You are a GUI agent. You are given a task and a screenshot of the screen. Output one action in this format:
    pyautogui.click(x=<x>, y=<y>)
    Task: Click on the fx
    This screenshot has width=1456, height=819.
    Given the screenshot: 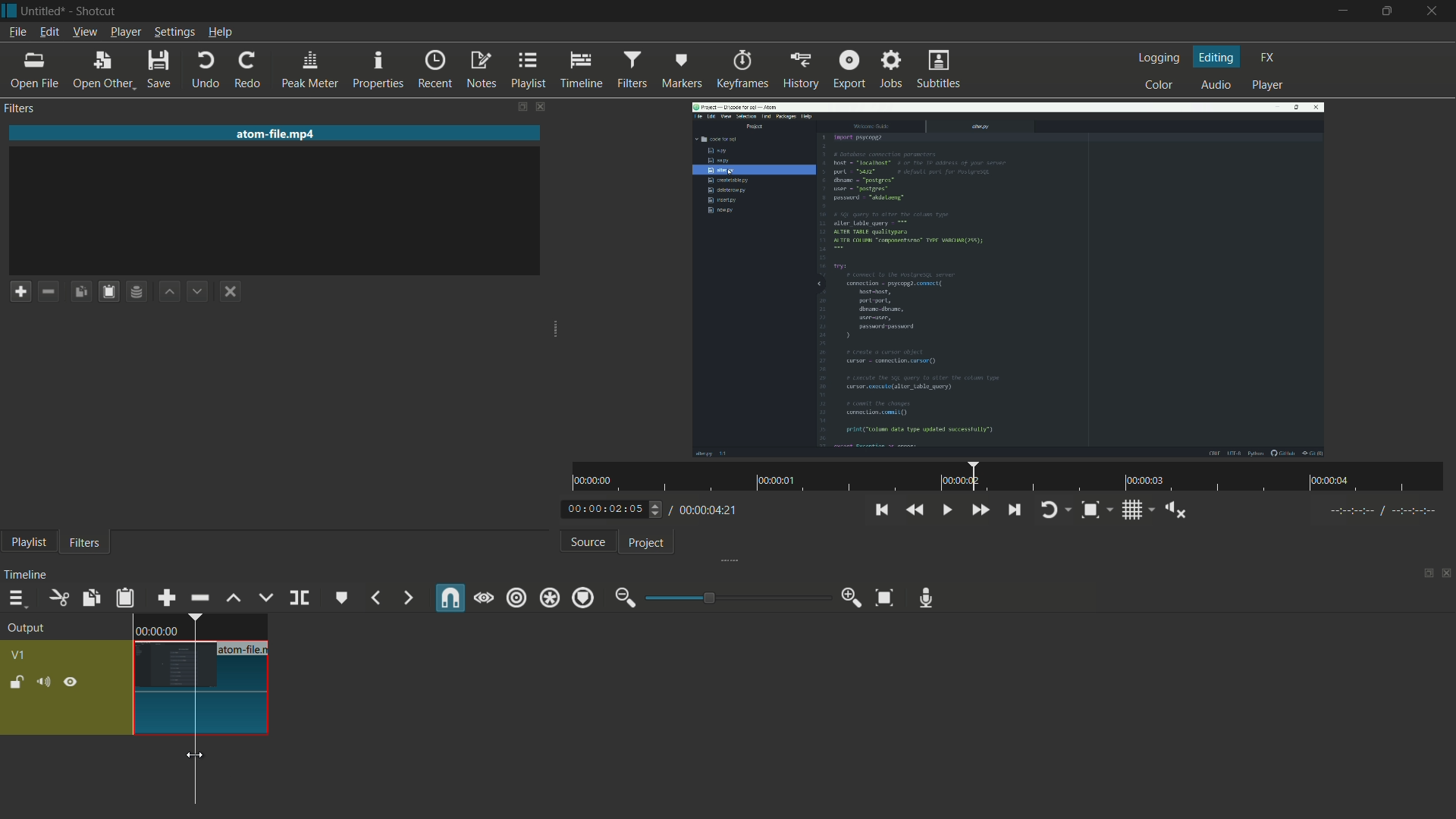 What is the action you would take?
    pyautogui.click(x=1268, y=58)
    